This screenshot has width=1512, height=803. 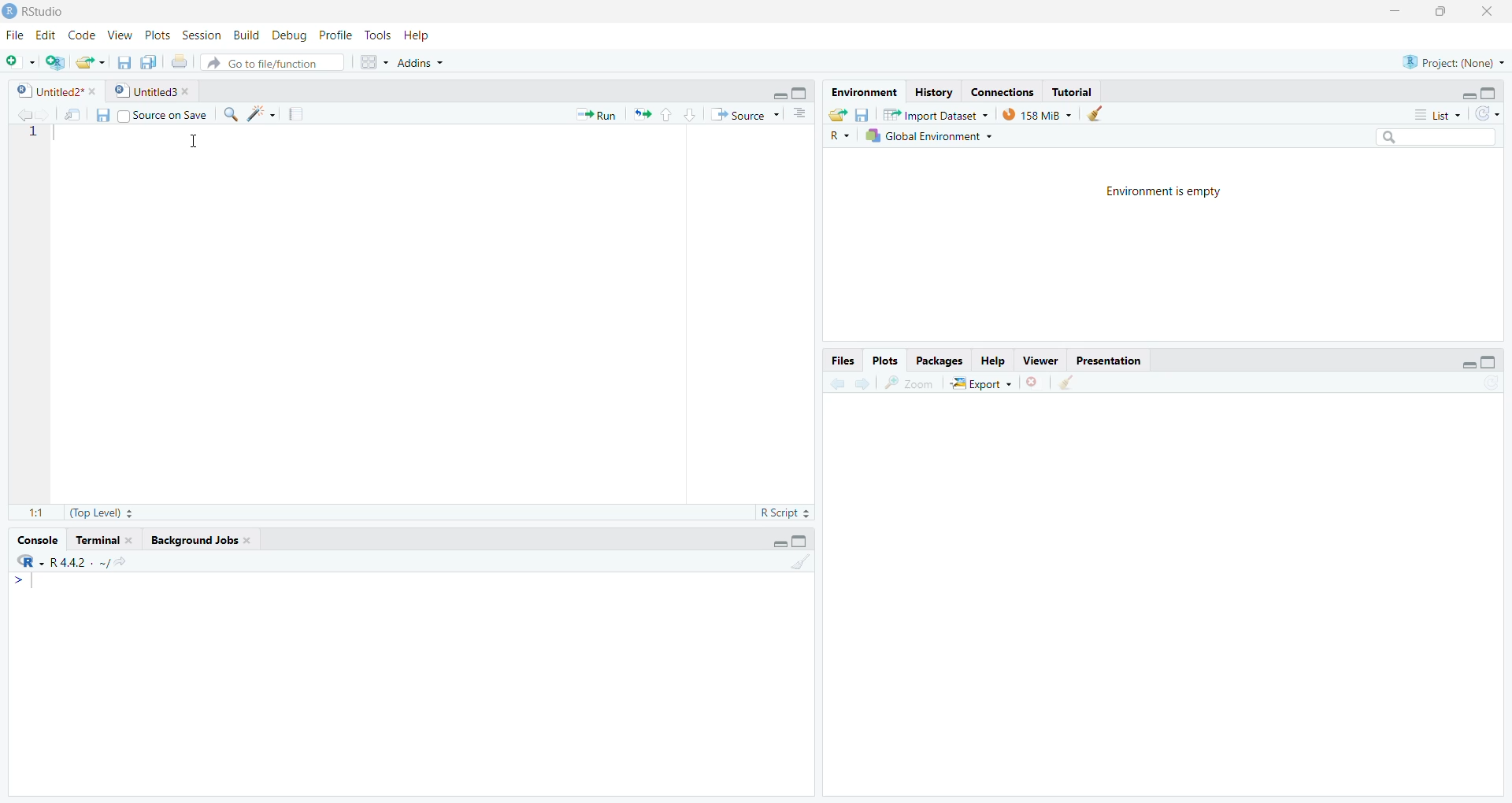 I want to click on , so click(x=862, y=114).